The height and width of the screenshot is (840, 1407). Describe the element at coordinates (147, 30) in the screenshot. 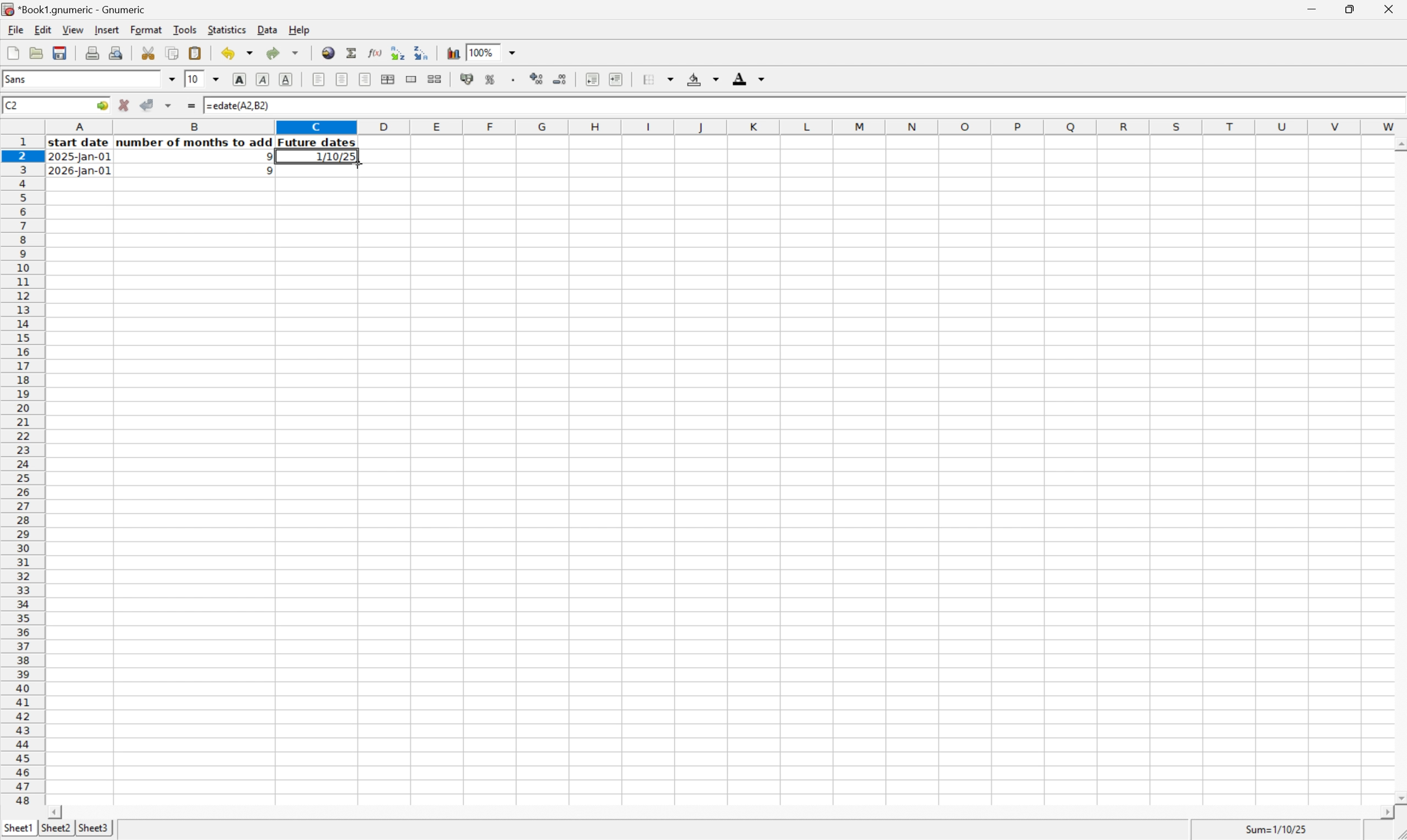

I see `Format` at that location.